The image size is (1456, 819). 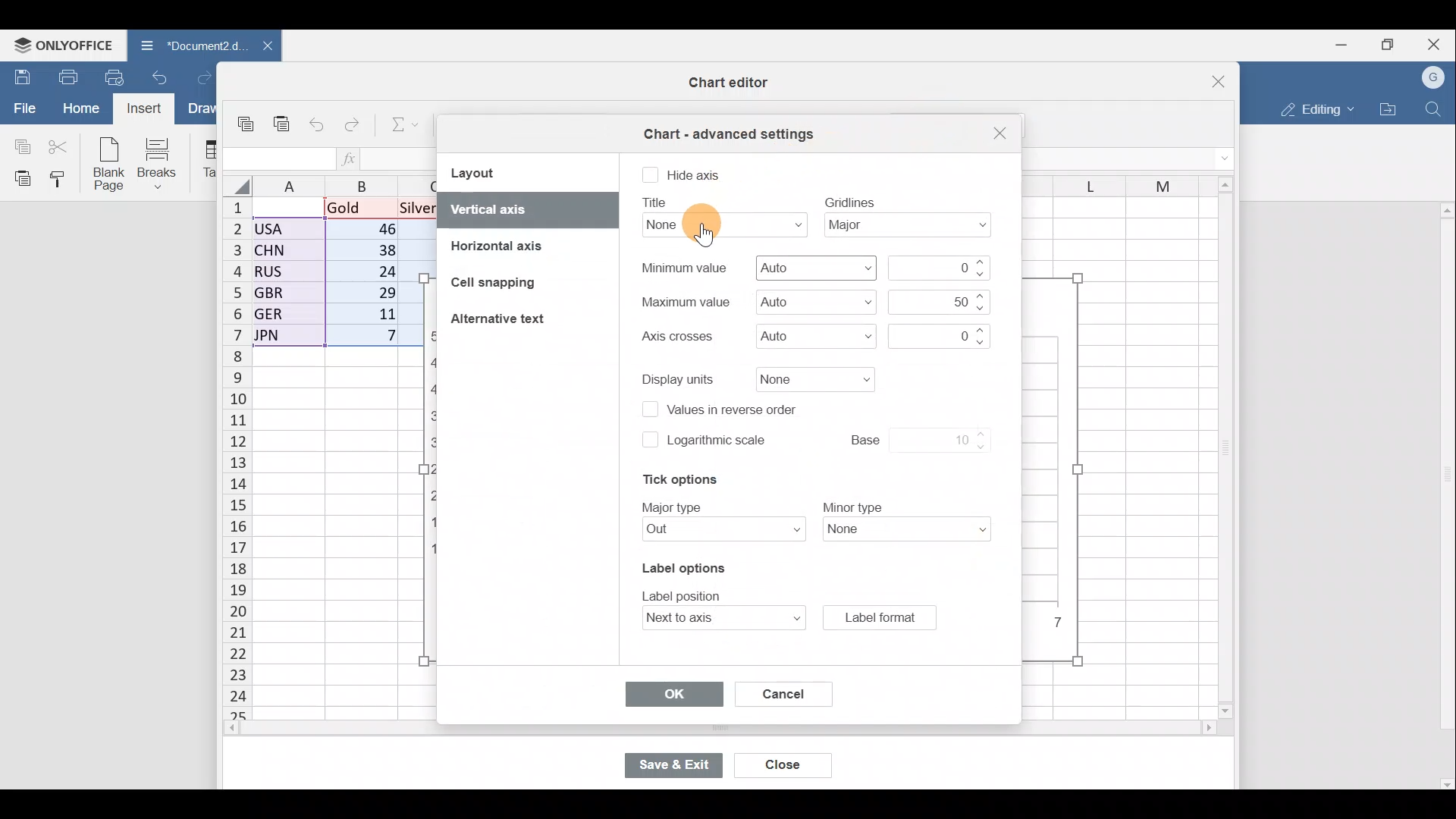 What do you see at coordinates (1336, 46) in the screenshot?
I see `Minimize` at bounding box center [1336, 46].